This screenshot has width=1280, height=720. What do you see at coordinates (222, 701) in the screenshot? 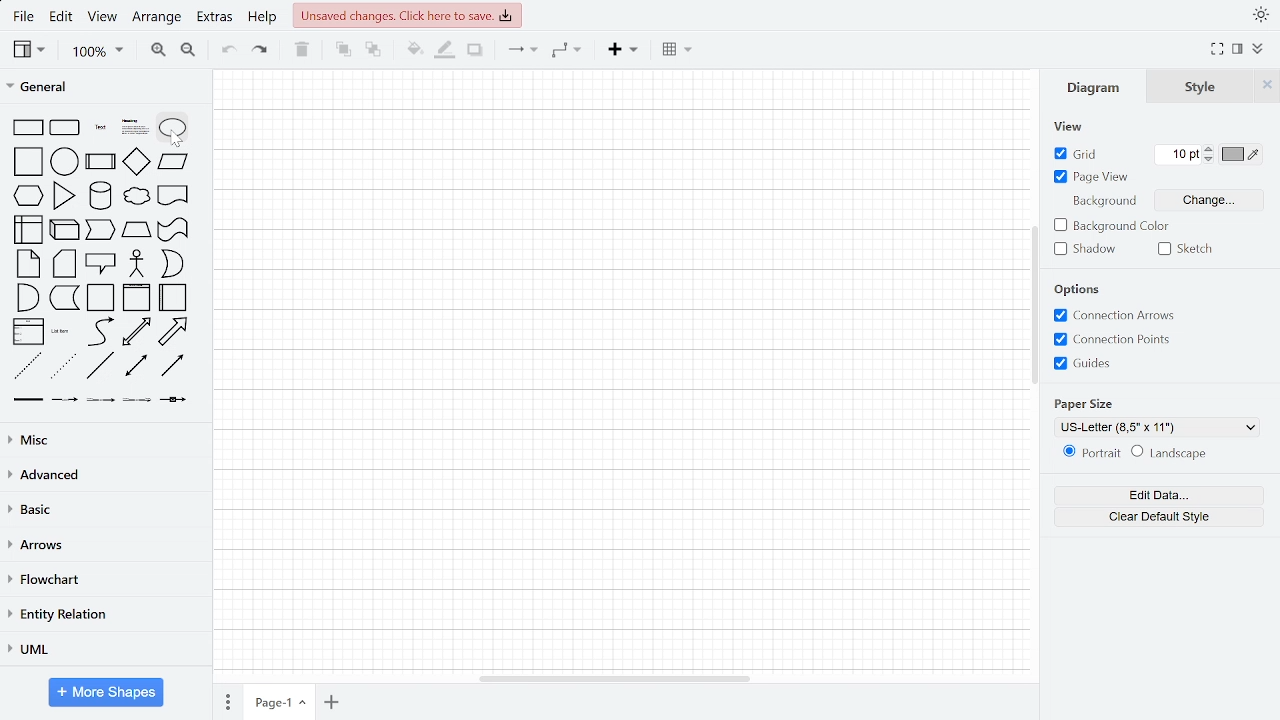
I see `Pages` at bounding box center [222, 701].